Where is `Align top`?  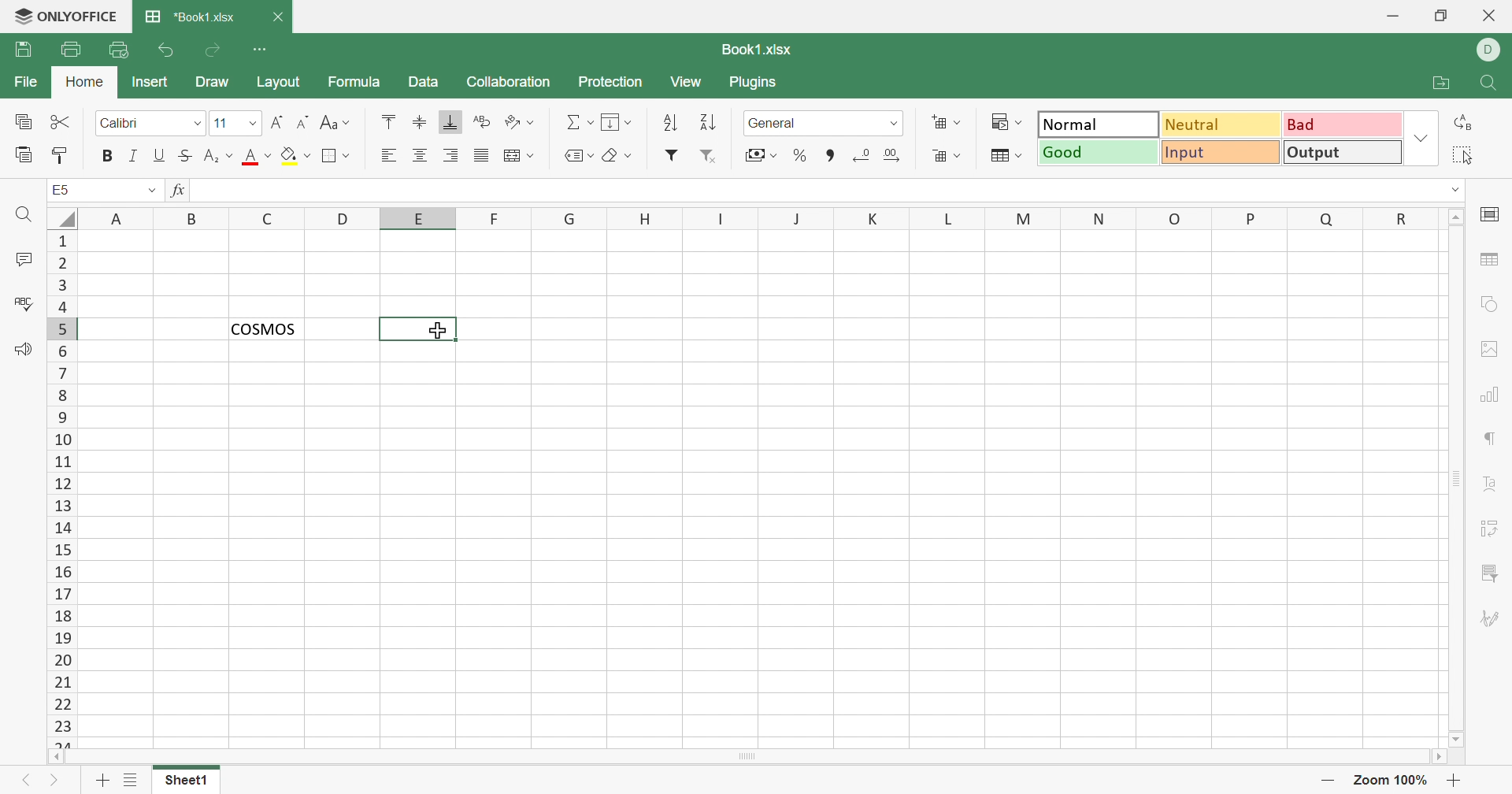
Align top is located at coordinates (392, 123).